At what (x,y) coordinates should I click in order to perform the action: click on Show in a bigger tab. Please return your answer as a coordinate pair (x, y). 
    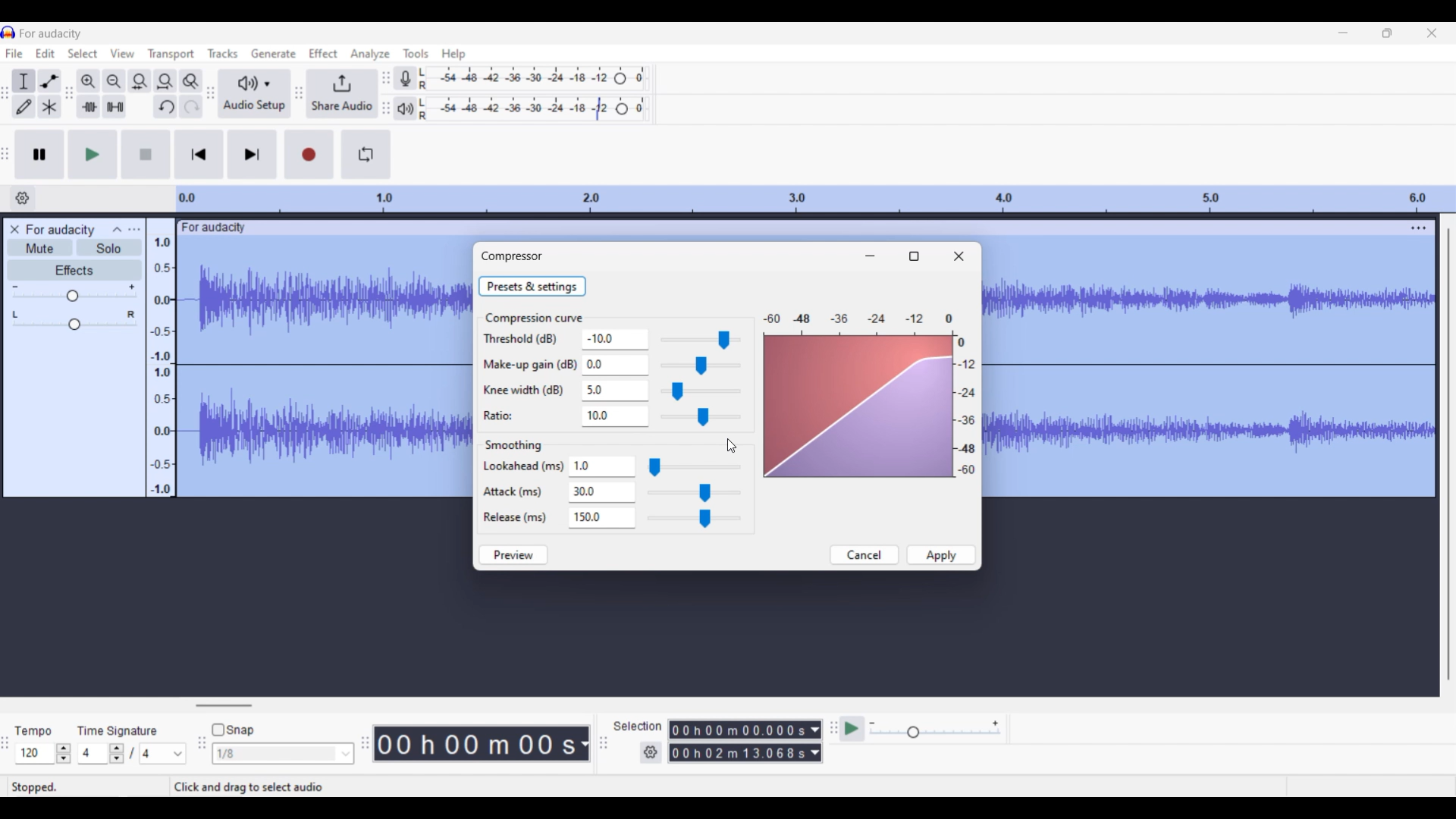
    Looking at the image, I should click on (913, 256).